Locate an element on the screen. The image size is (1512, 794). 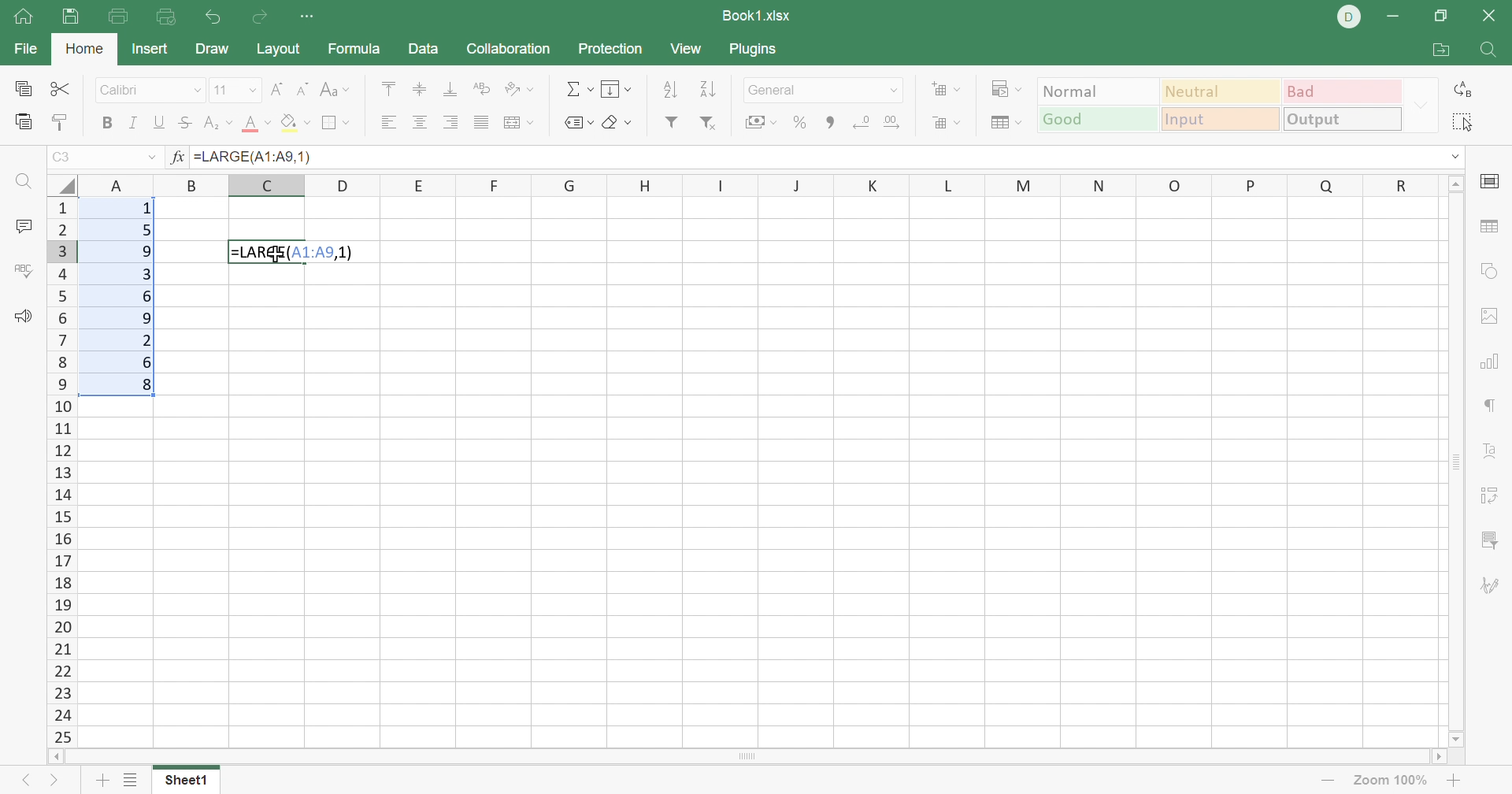
Sheet1 is located at coordinates (190, 783).